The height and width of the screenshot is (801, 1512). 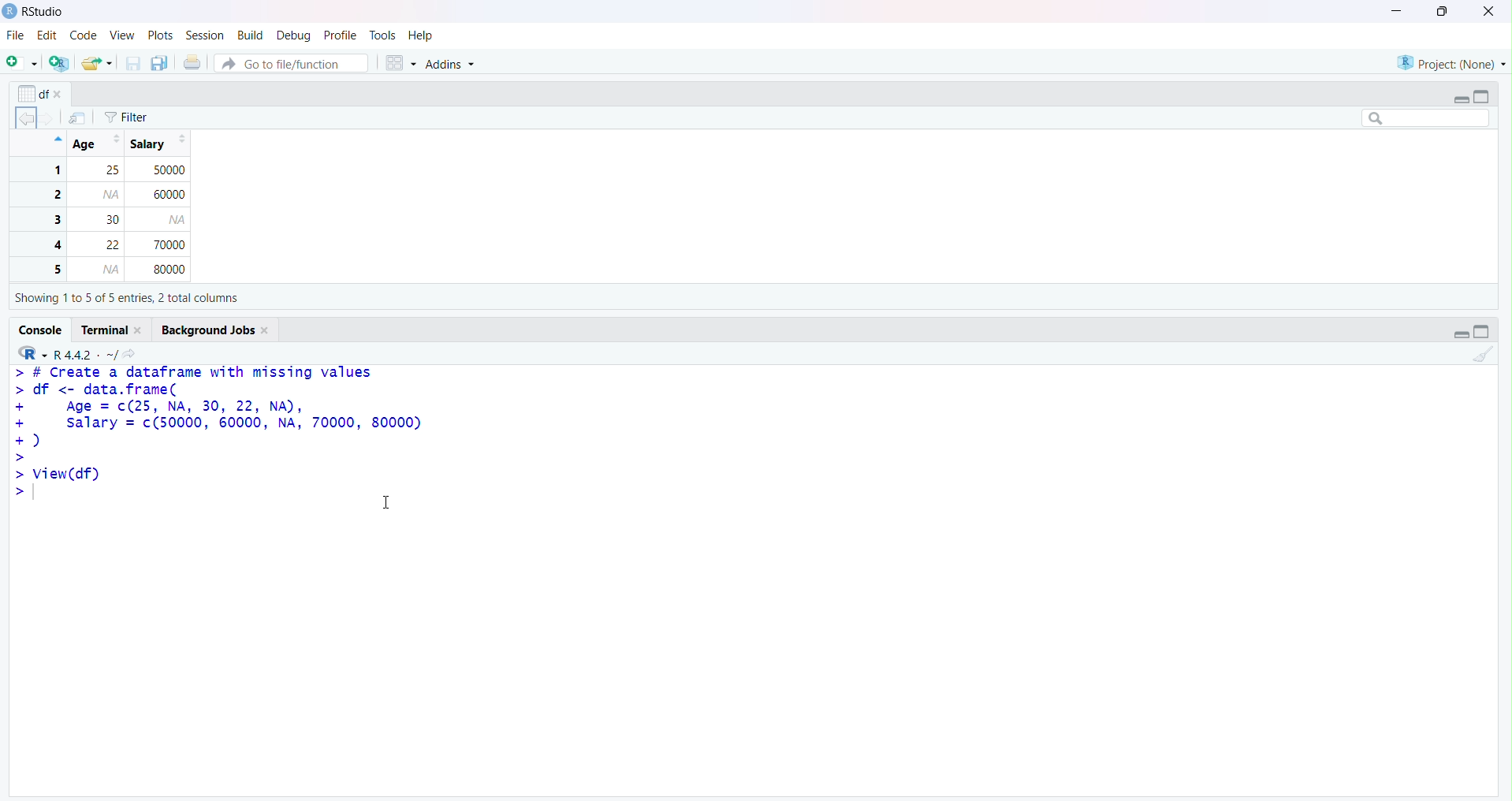 What do you see at coordinates (296, 35) in the screenshot?
I see `Debug` at bounding box center [296, 35].